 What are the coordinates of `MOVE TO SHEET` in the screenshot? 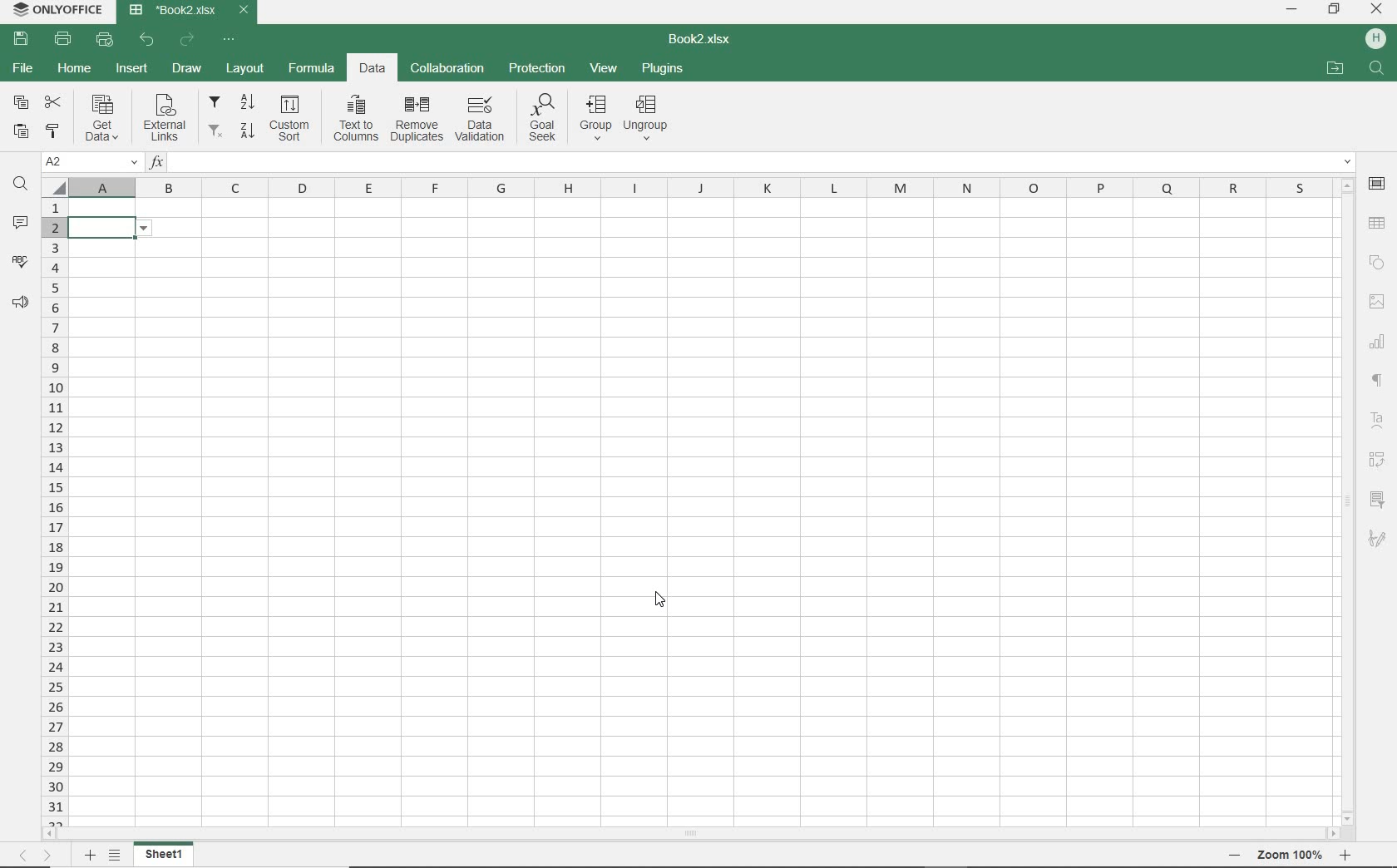 It's located at (32, 857).